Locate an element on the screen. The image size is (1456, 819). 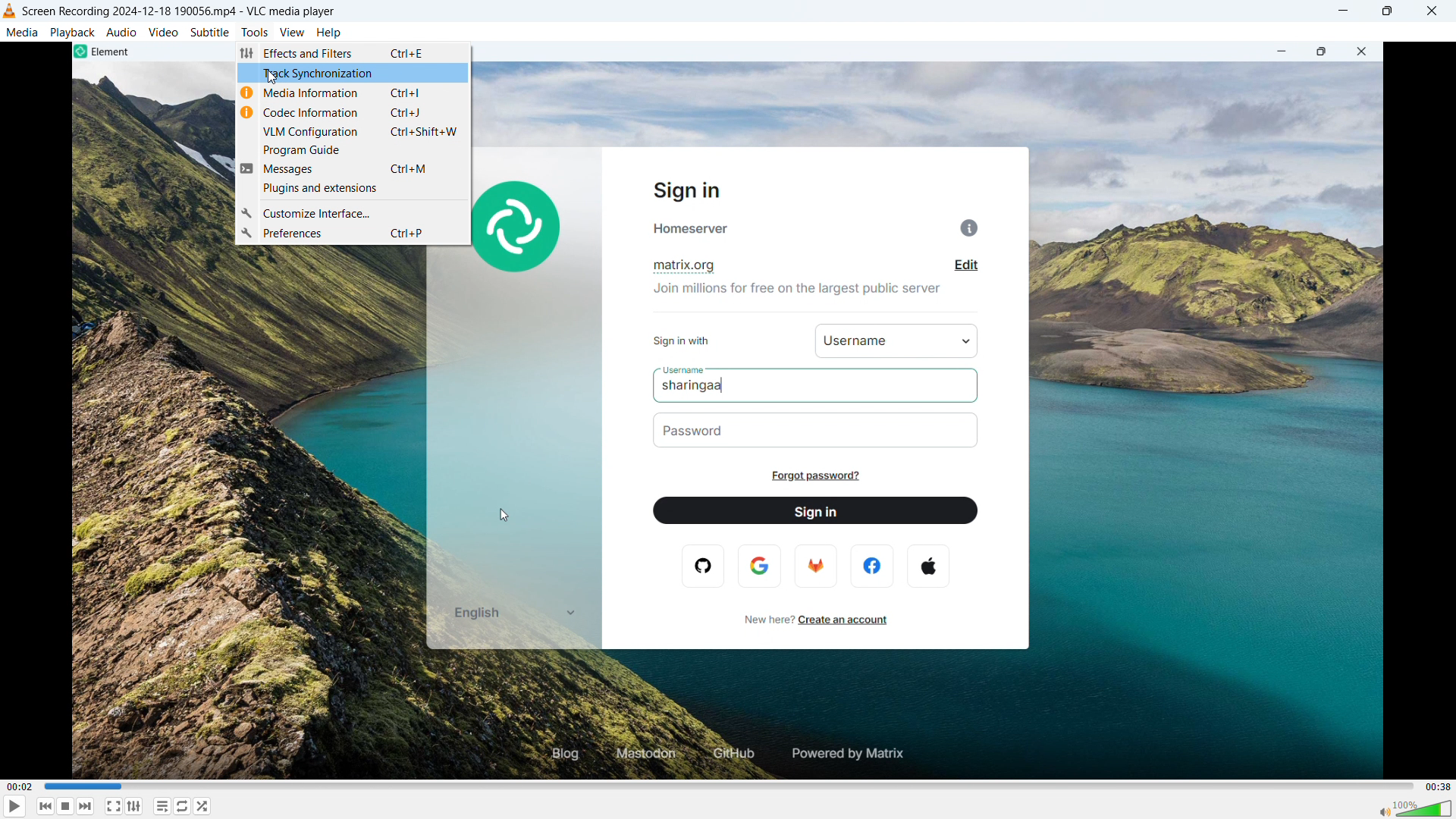
github is located at coordinates (726, 752).